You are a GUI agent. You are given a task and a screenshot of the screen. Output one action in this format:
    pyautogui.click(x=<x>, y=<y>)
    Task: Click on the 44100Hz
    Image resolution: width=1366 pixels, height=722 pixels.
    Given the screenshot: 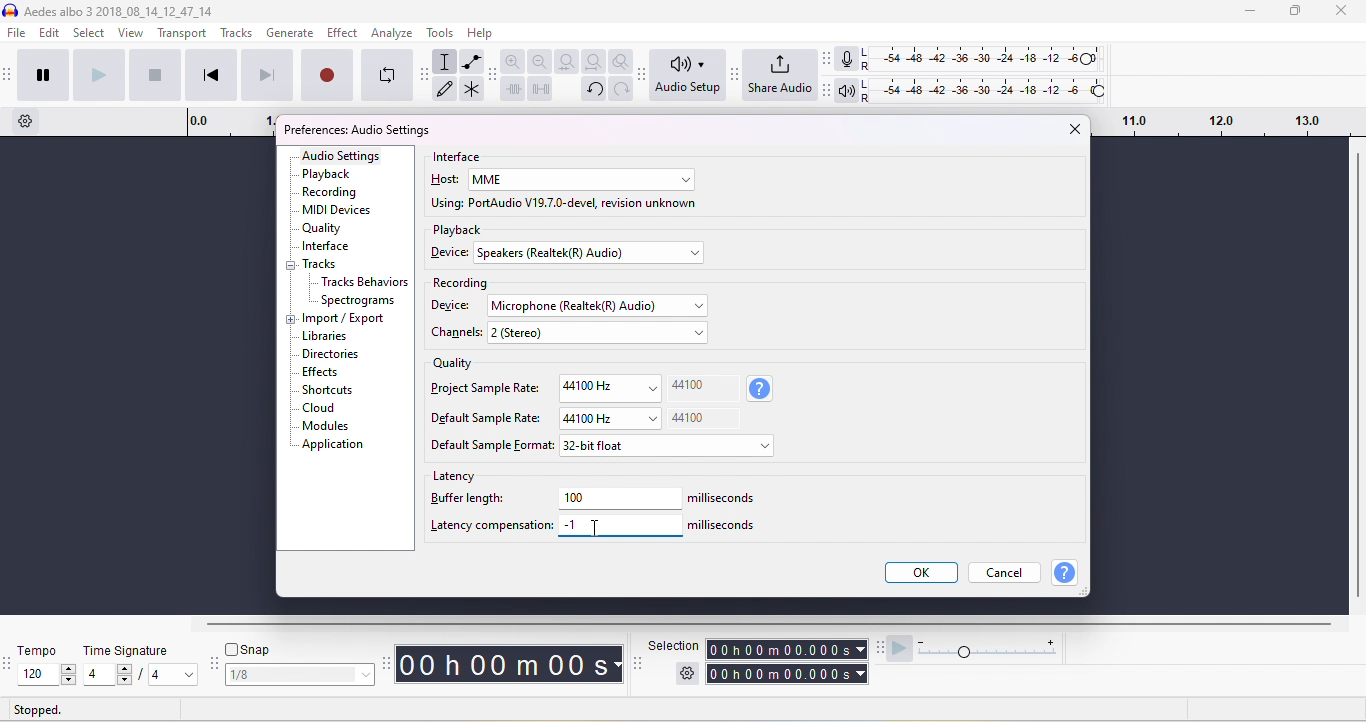 What is the action you would take?
    pyautogui.click(x=608, y=388)
    